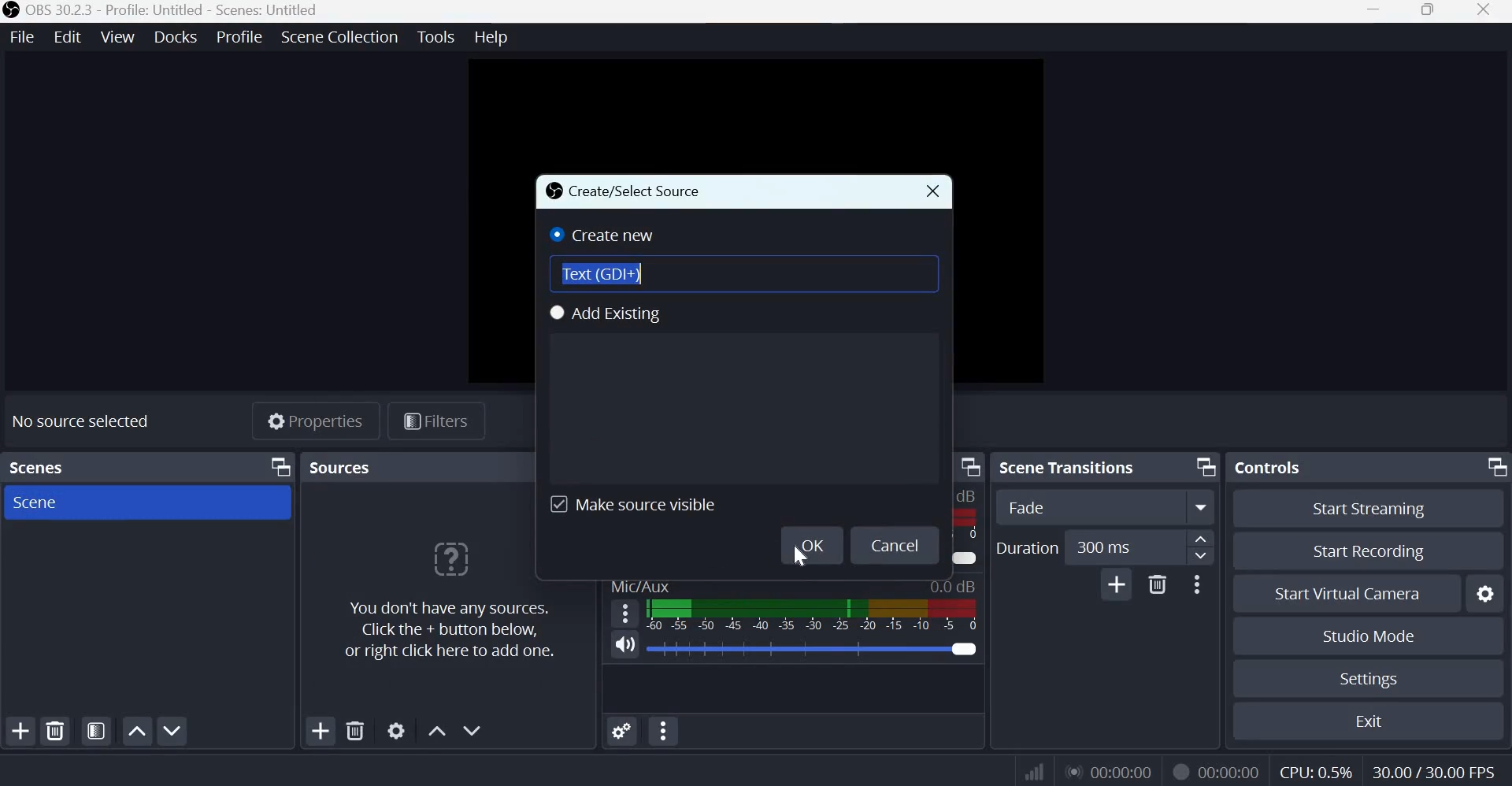 This screenshot has width=1512, height=786. I want to click on Add source(s), so click(322, 730).